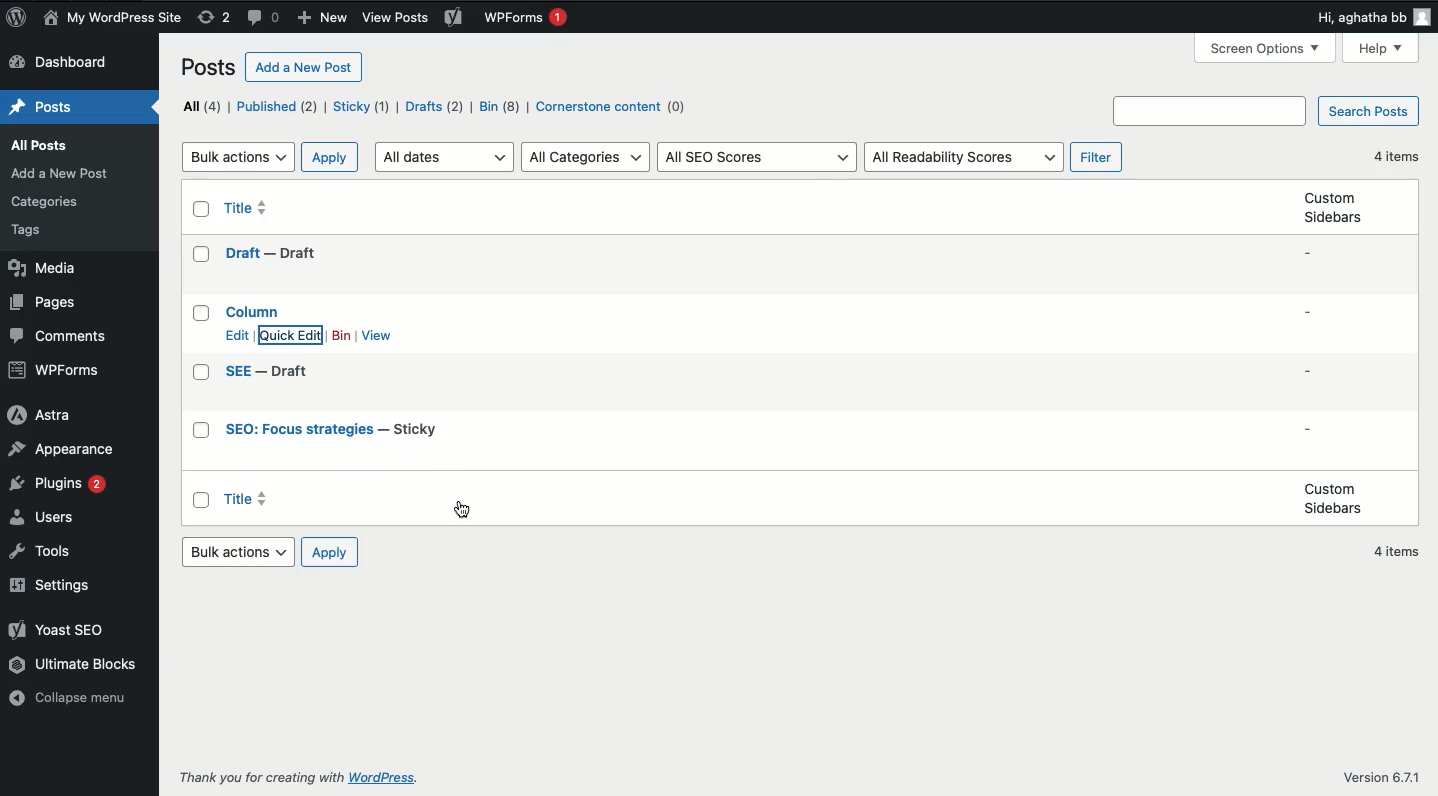  What do you see at coordinates (248, 205) in the screenshot?
I see `title` at bounding box center [248, 205].